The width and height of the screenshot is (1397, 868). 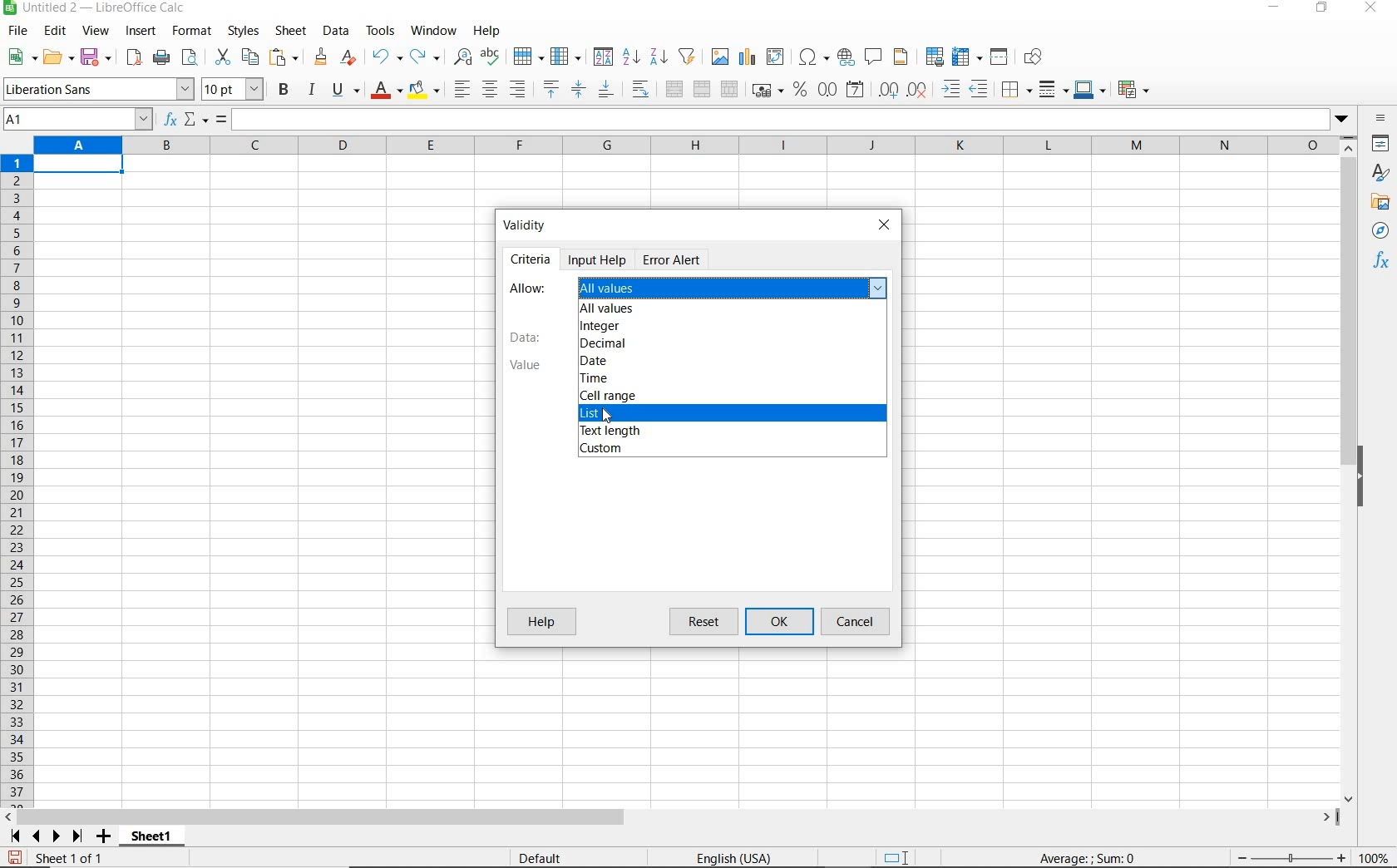 What do you see at coordinates (1285, 857) in the screenshot?
I see `zoom out or zoom in` at bounding box center [1285, 857].